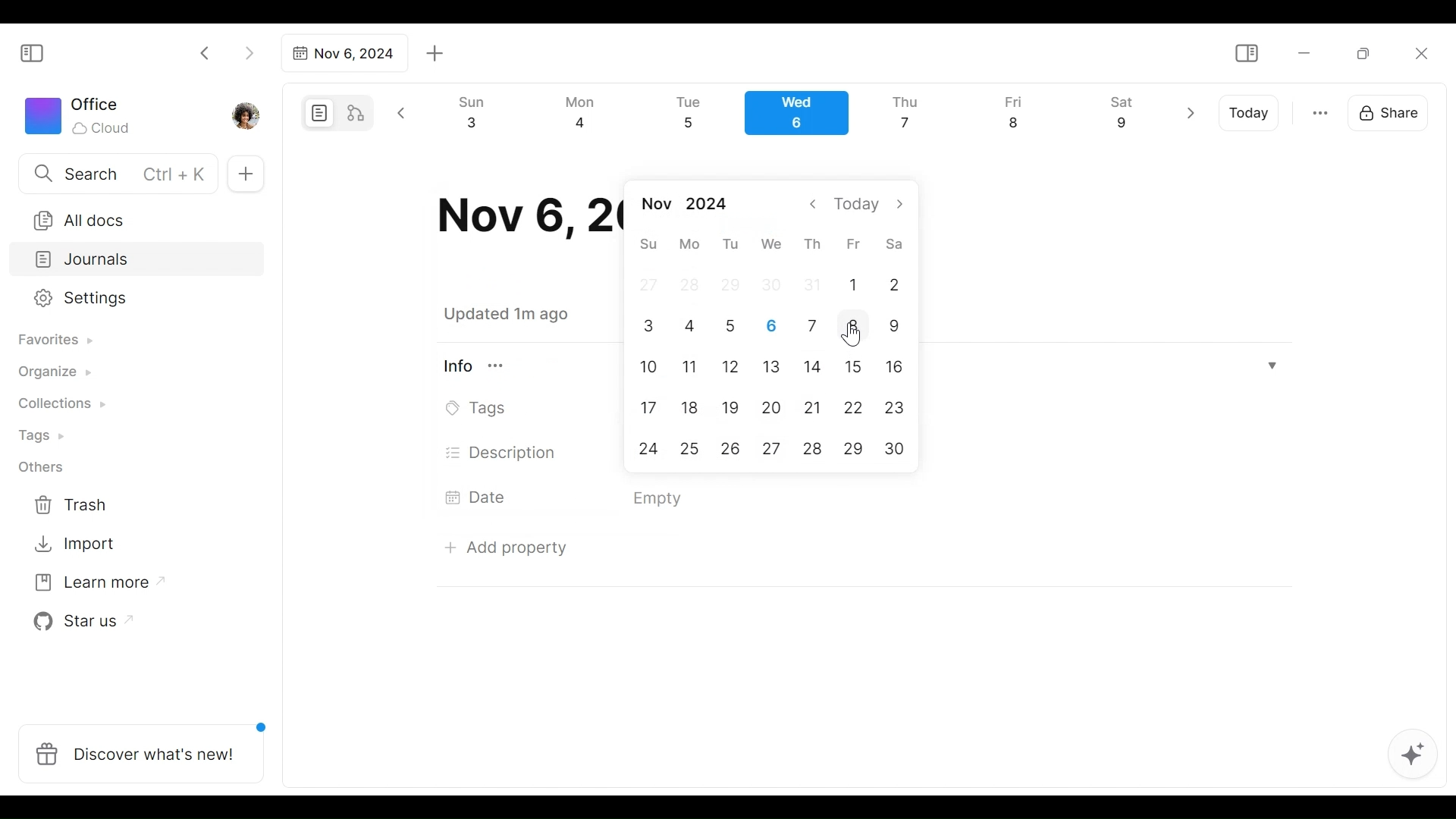  I want to click on Learn more, so click(92, 585).